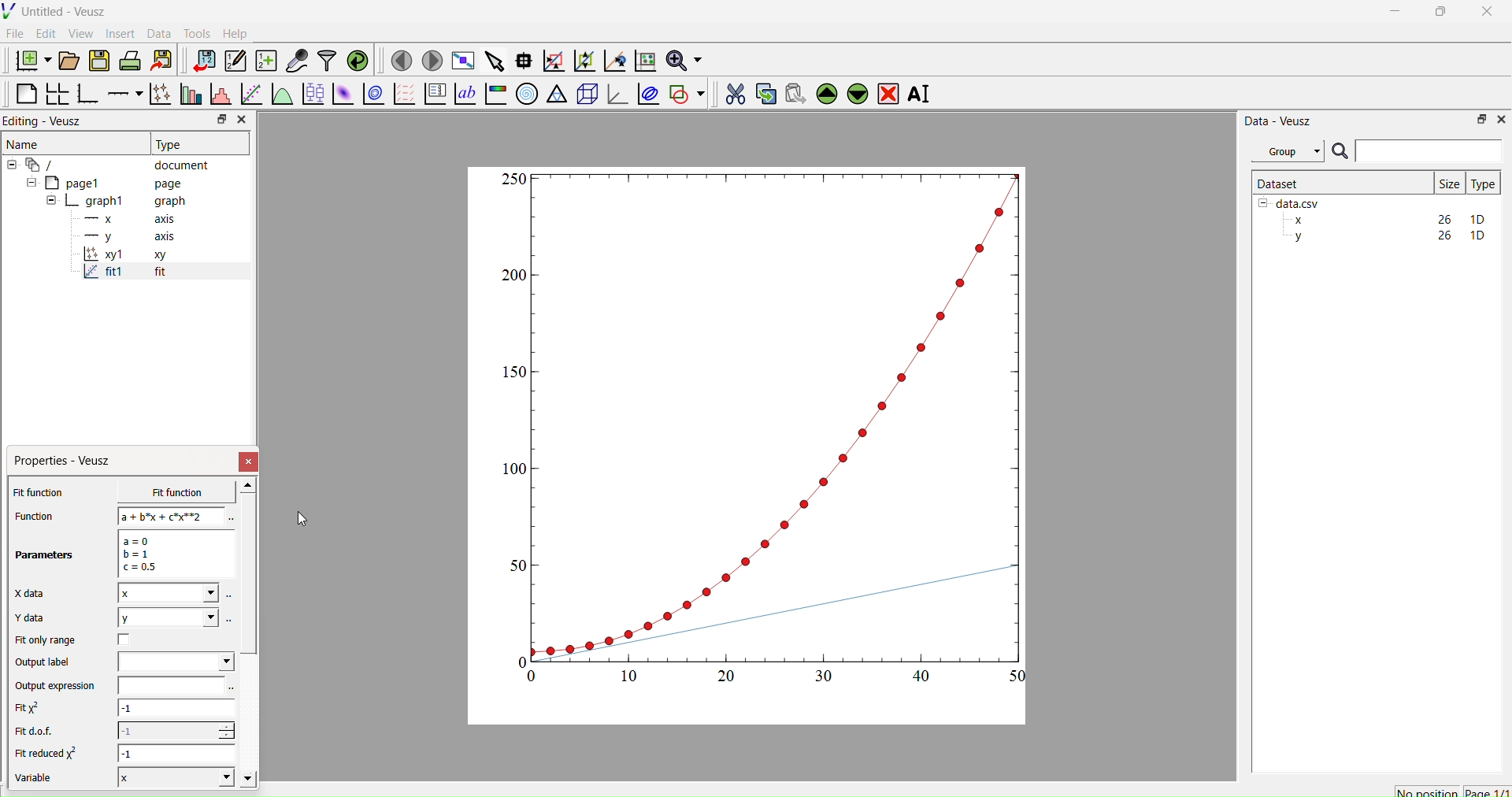 The height and width of the screenshot is (797, 1512). What do you see at coordinates (793, 91) in the screenshot?
I see `Paste` at bounding box center [793, 91].